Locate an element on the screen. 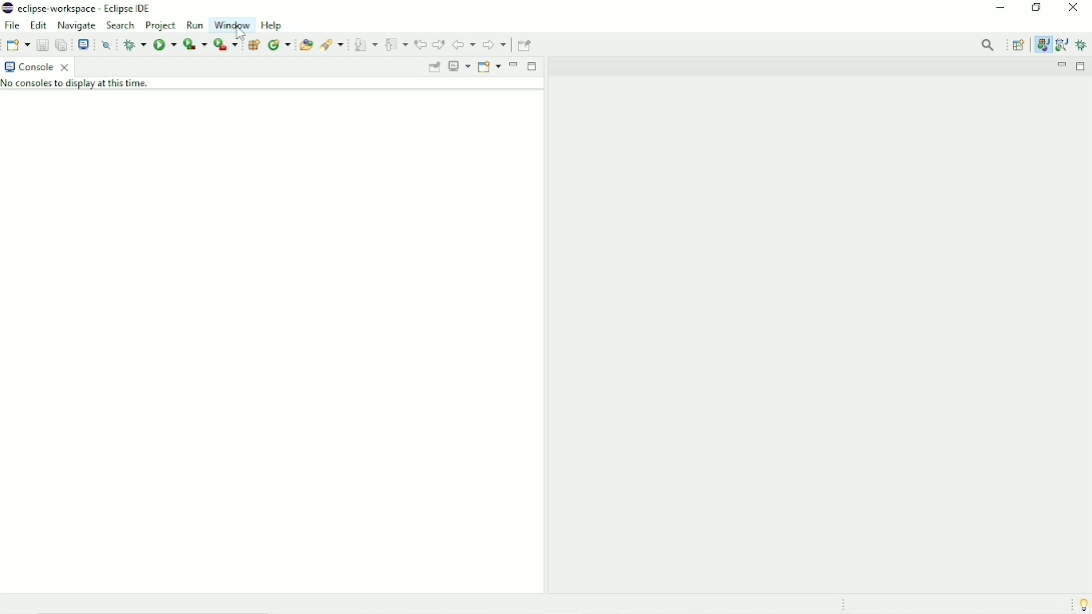 The width and height of the screenshot is (1092, 614). Minimize is located at coordinates (1001, 9).